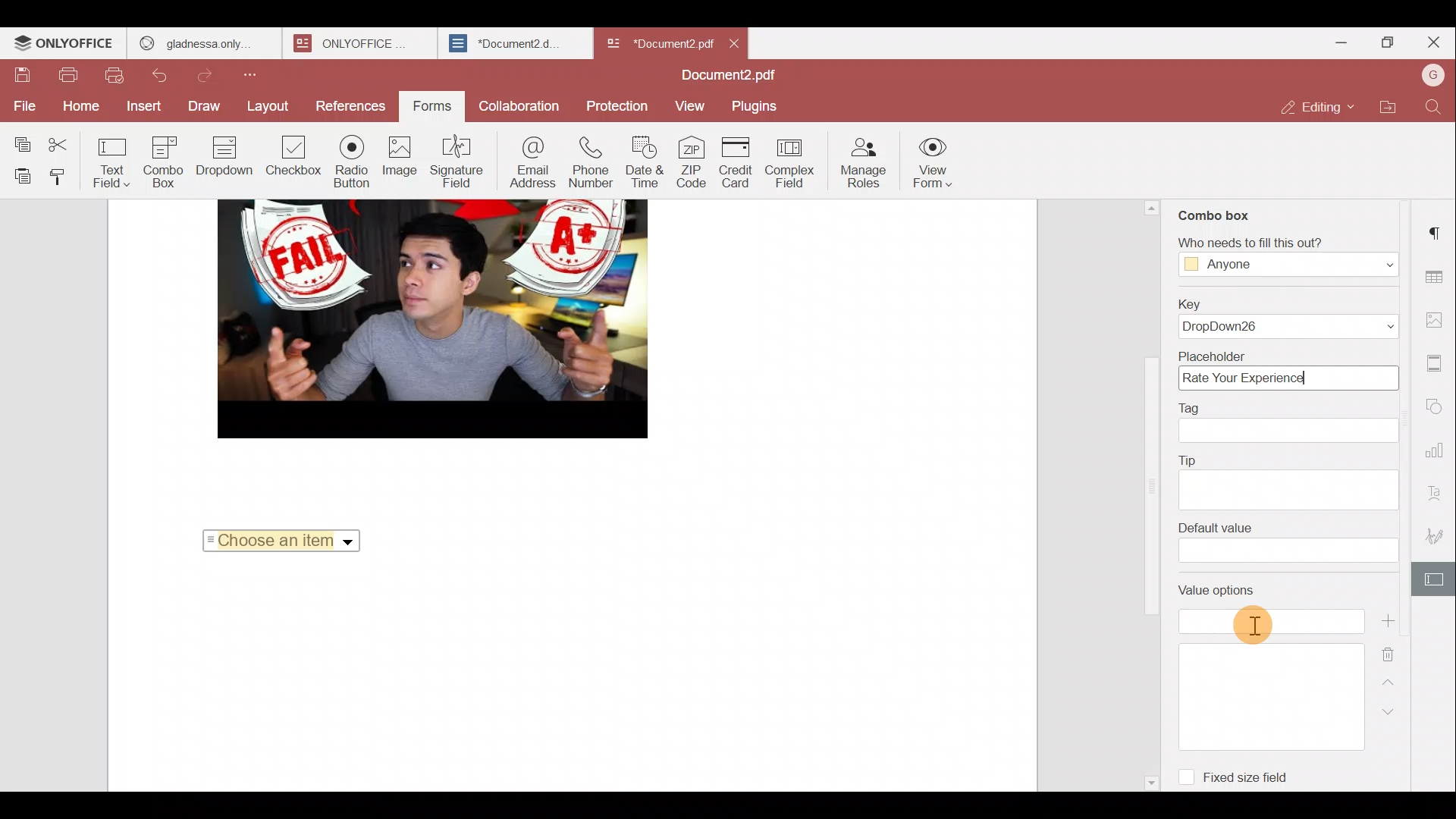  I want to click on Signature field, so click(457, 161).